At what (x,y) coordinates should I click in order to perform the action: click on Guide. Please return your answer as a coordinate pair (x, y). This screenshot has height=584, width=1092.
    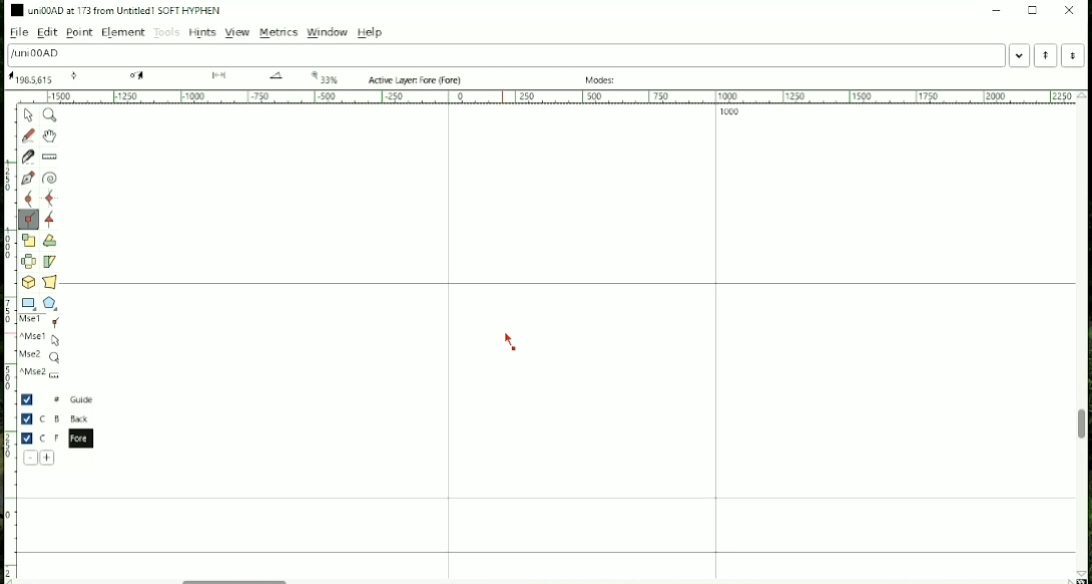
    Looking at the image, I should click on (59, 400).